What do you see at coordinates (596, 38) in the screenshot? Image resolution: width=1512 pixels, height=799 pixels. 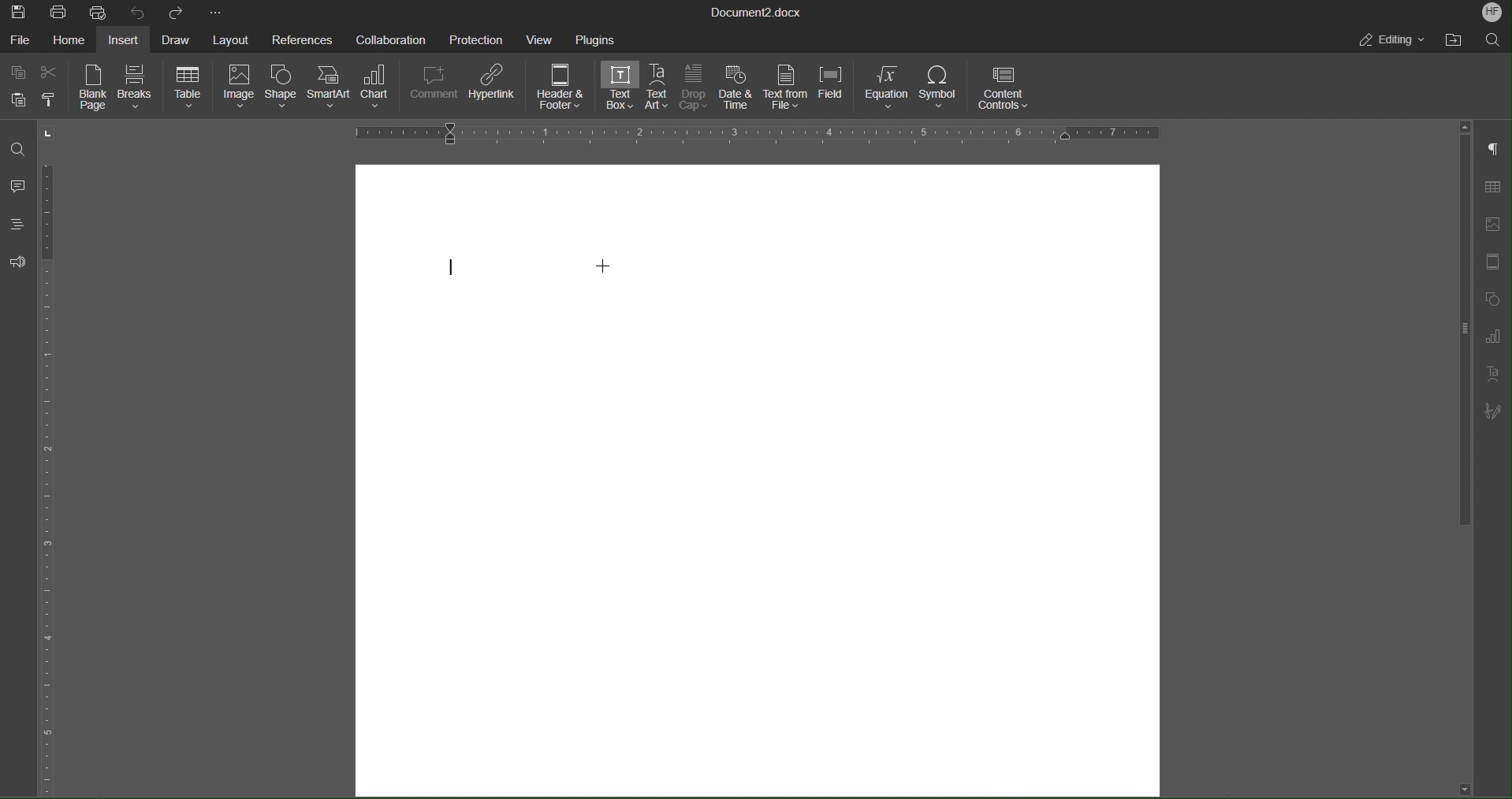 I see `Plugins` at bounding box center [596, 38].